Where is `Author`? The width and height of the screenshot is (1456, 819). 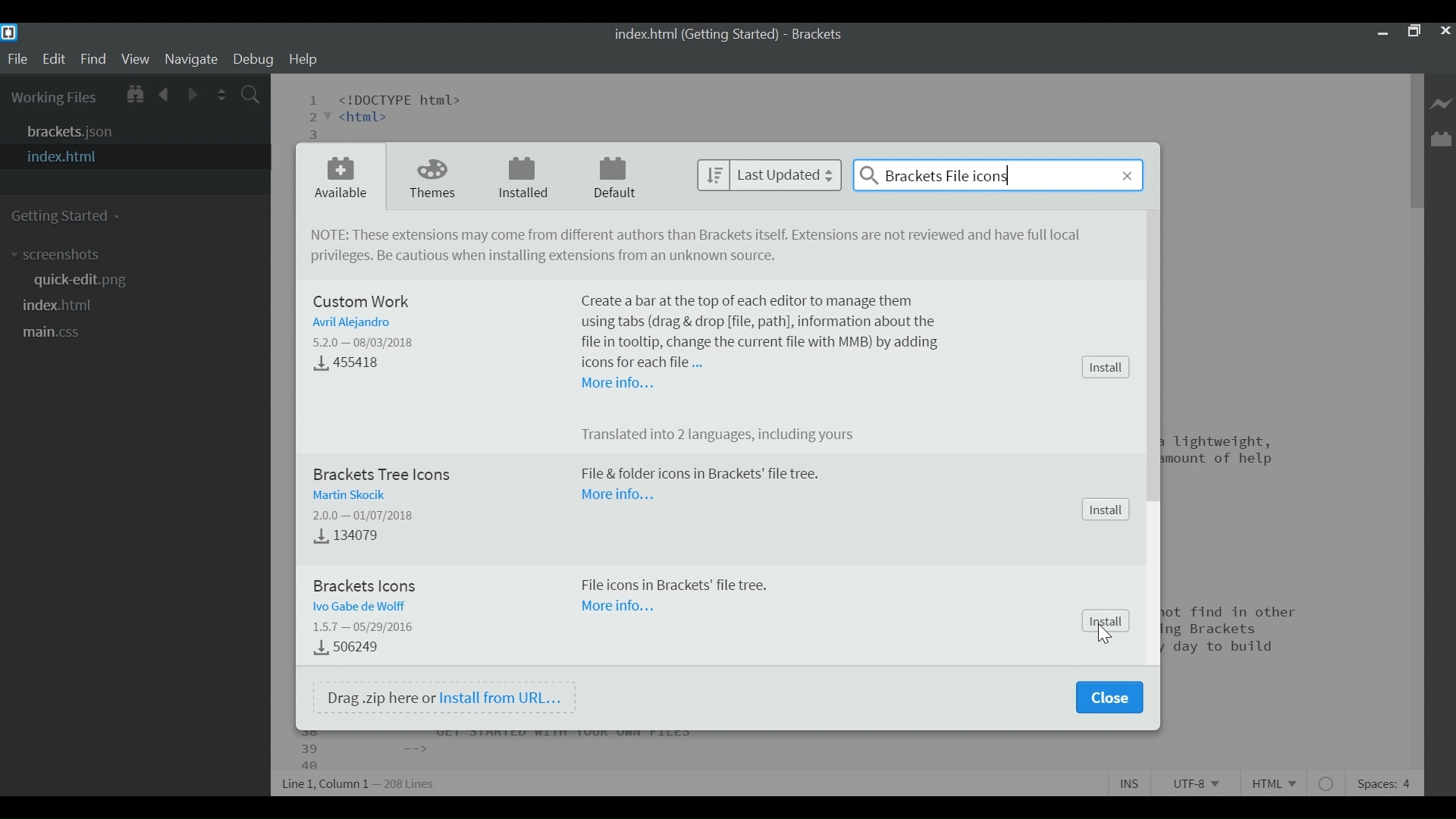
Author is located at coordinates (347, 493).